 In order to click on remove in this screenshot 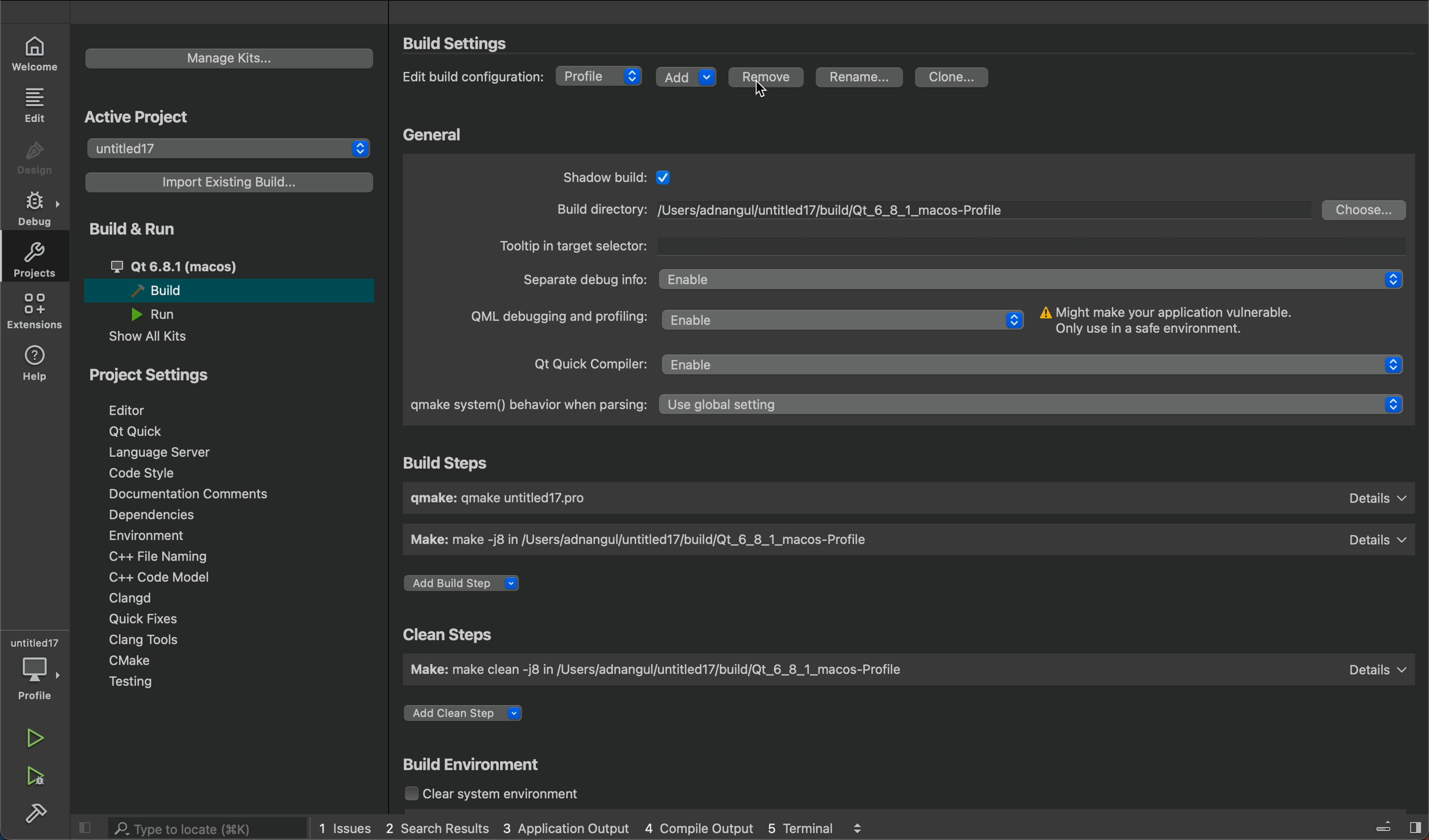, I will do `click(767, 78)`.